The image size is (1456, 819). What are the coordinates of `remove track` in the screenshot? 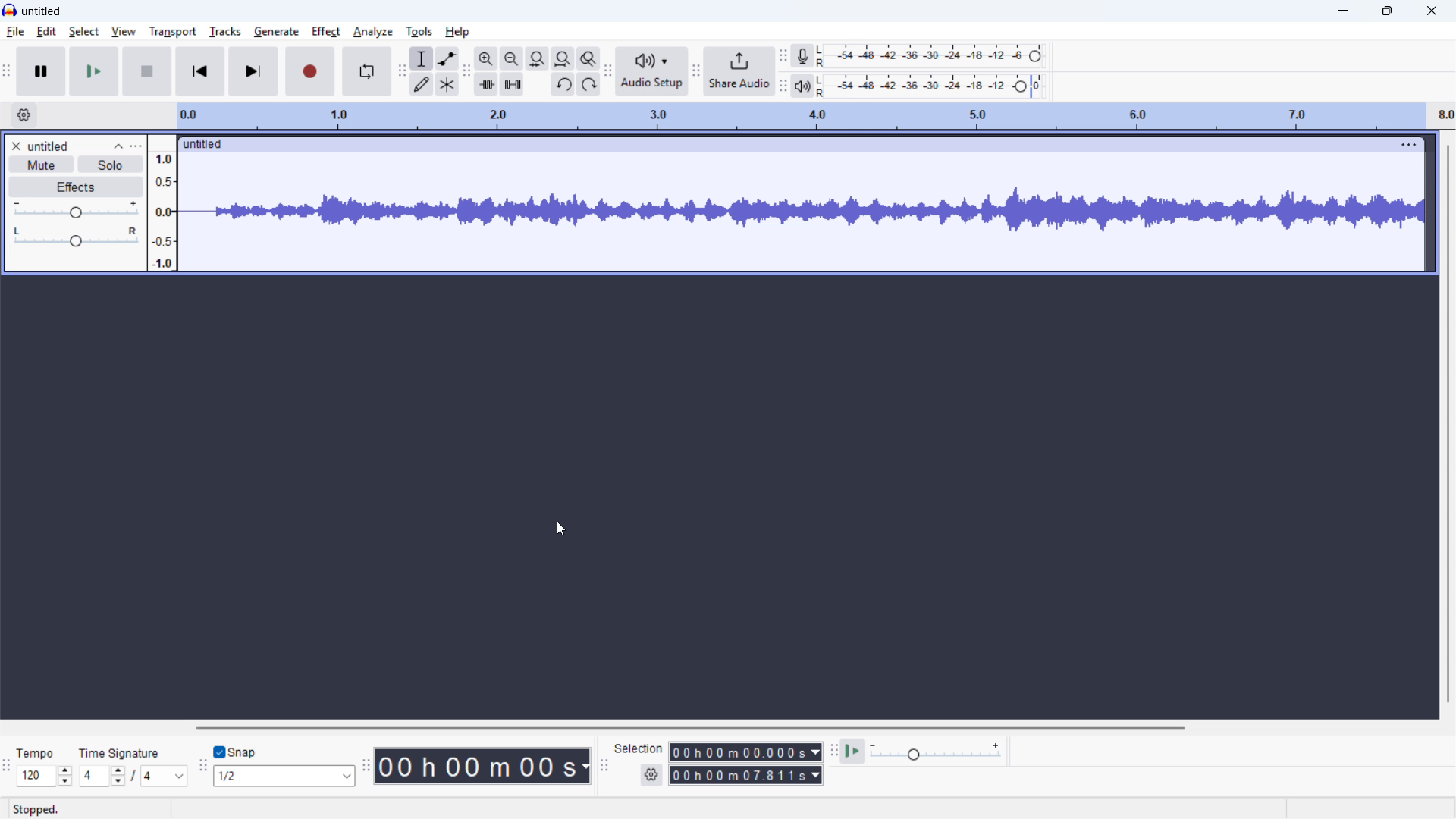 It's located at (15, 146).